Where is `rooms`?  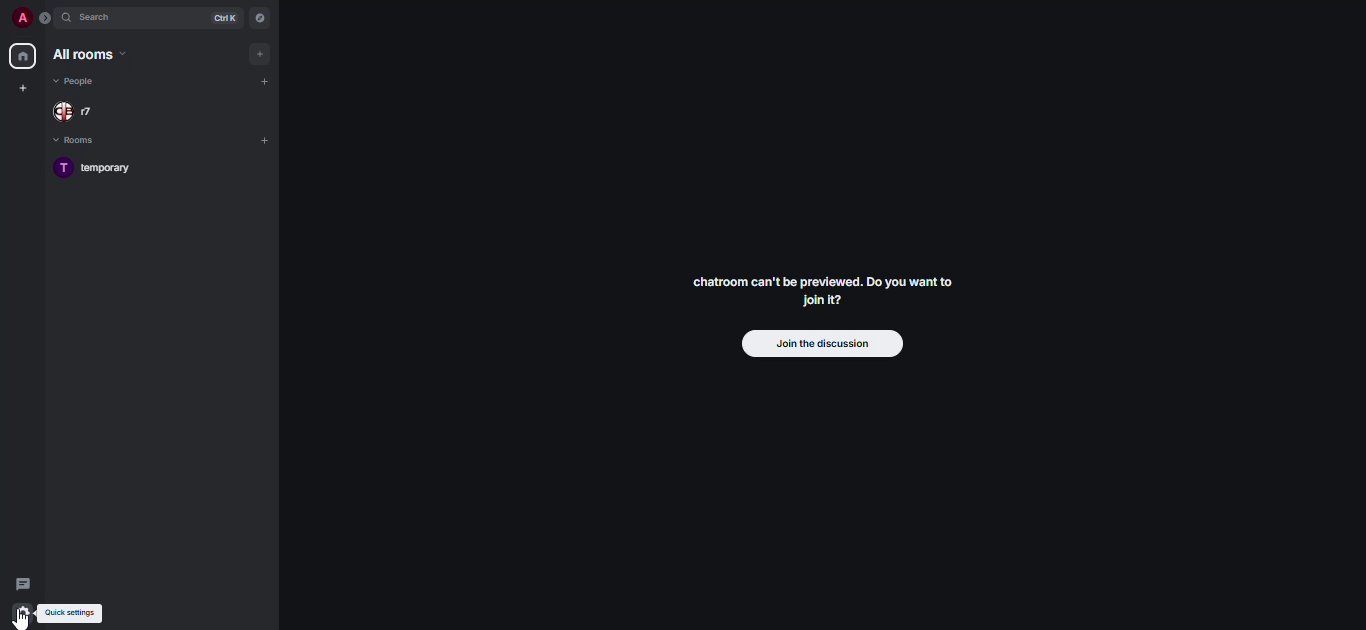 rooms is located at coordinates (80, 140).